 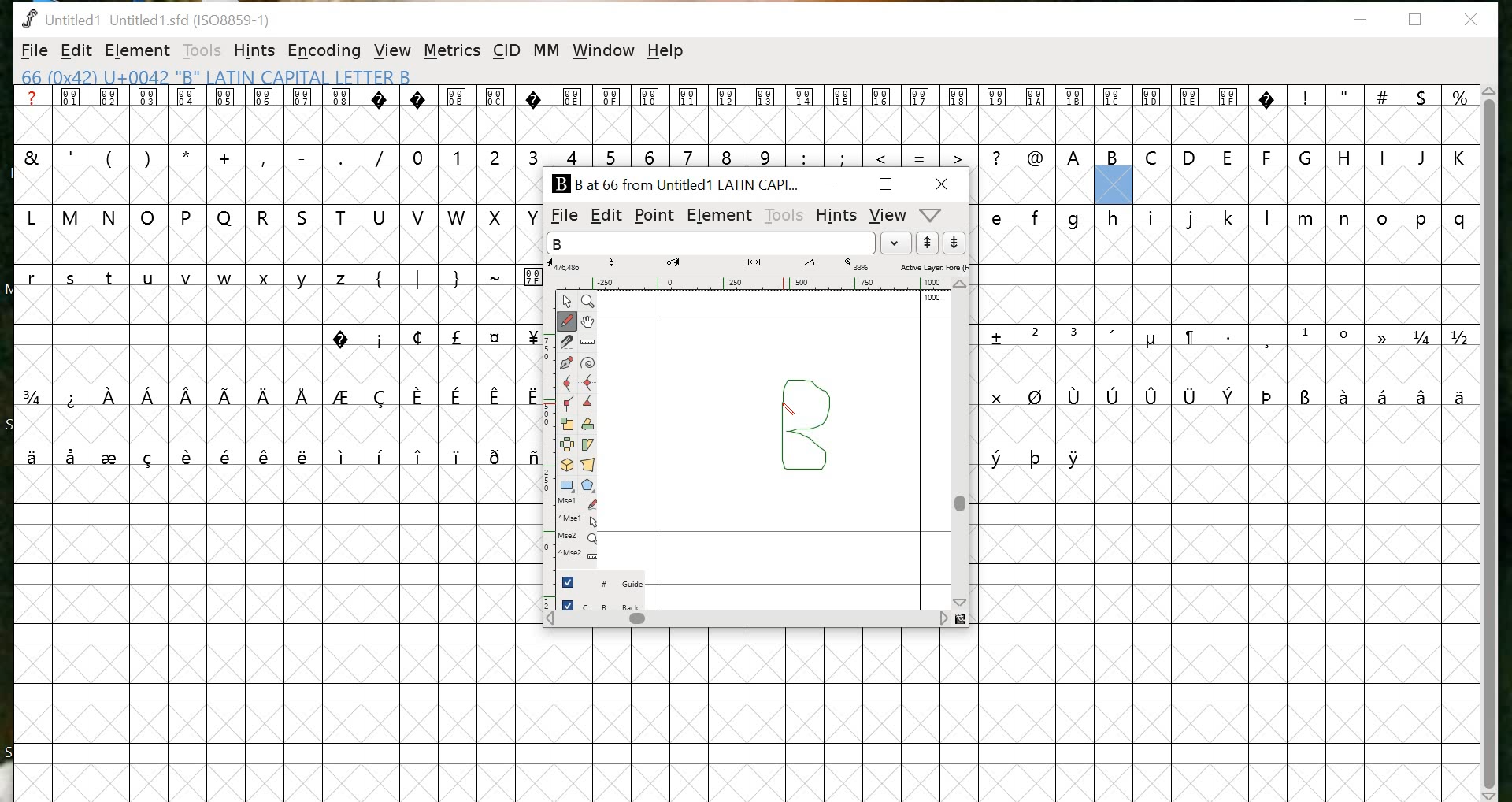 I want to click on HINTS, so click(x=836, y=214).